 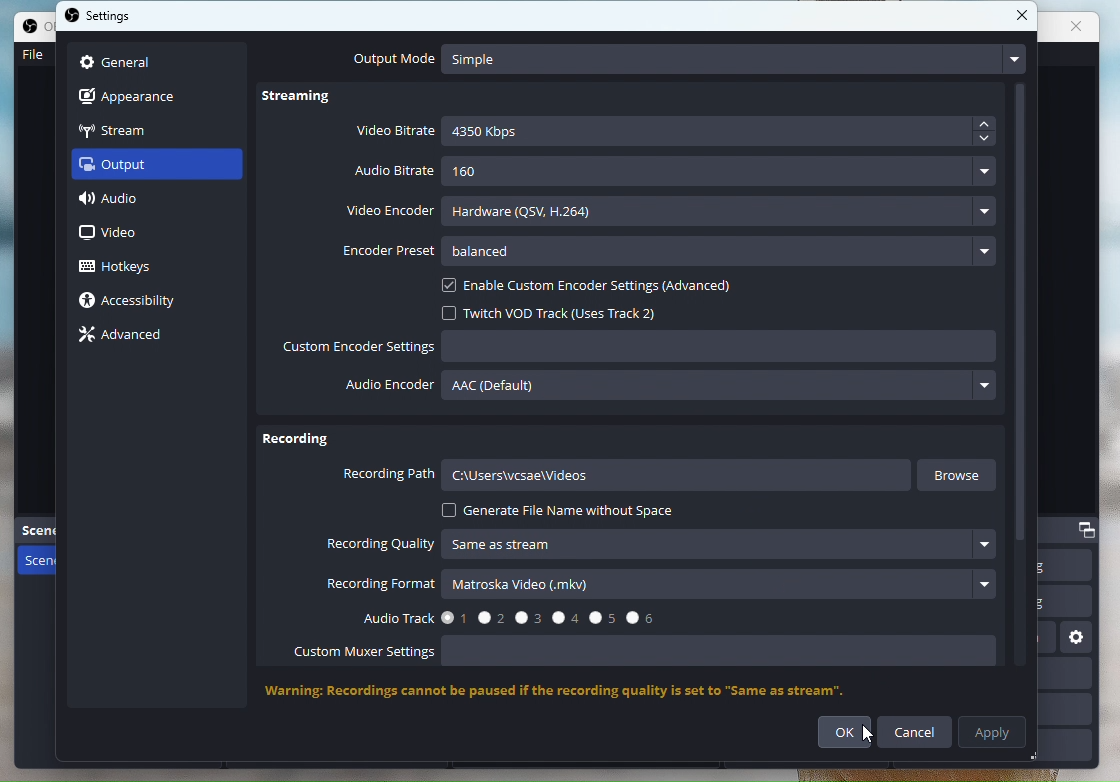 What do you see at coordinates (560, 511) in the screenshot?
I see `Generate file name without space` at bounding box center [560, 511].